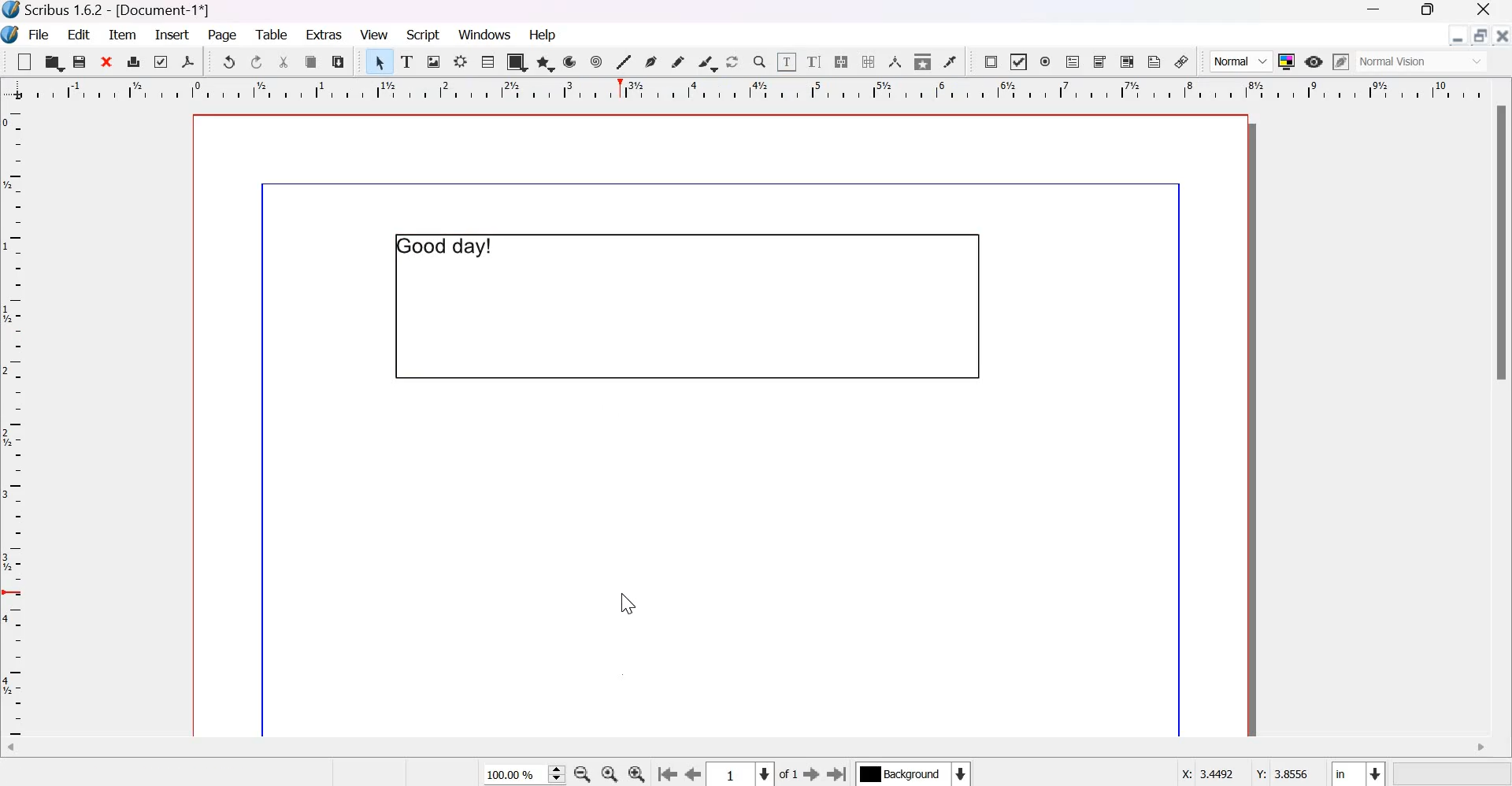 This screenshot has height=786, width=1512. I want to click on zoom to 100%, so click(611, 774).